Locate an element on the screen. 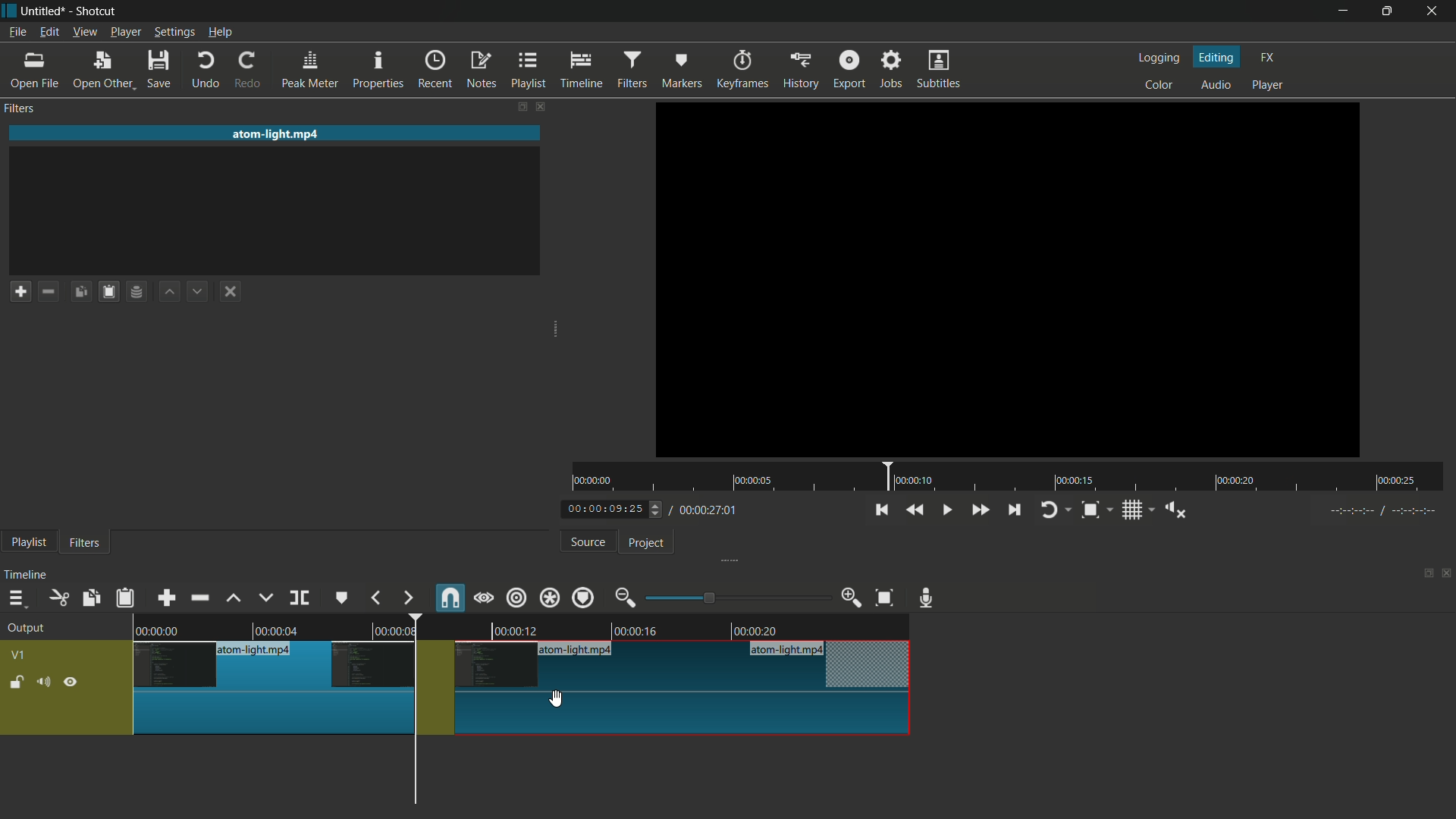  history is located at coordinates (799, 71).